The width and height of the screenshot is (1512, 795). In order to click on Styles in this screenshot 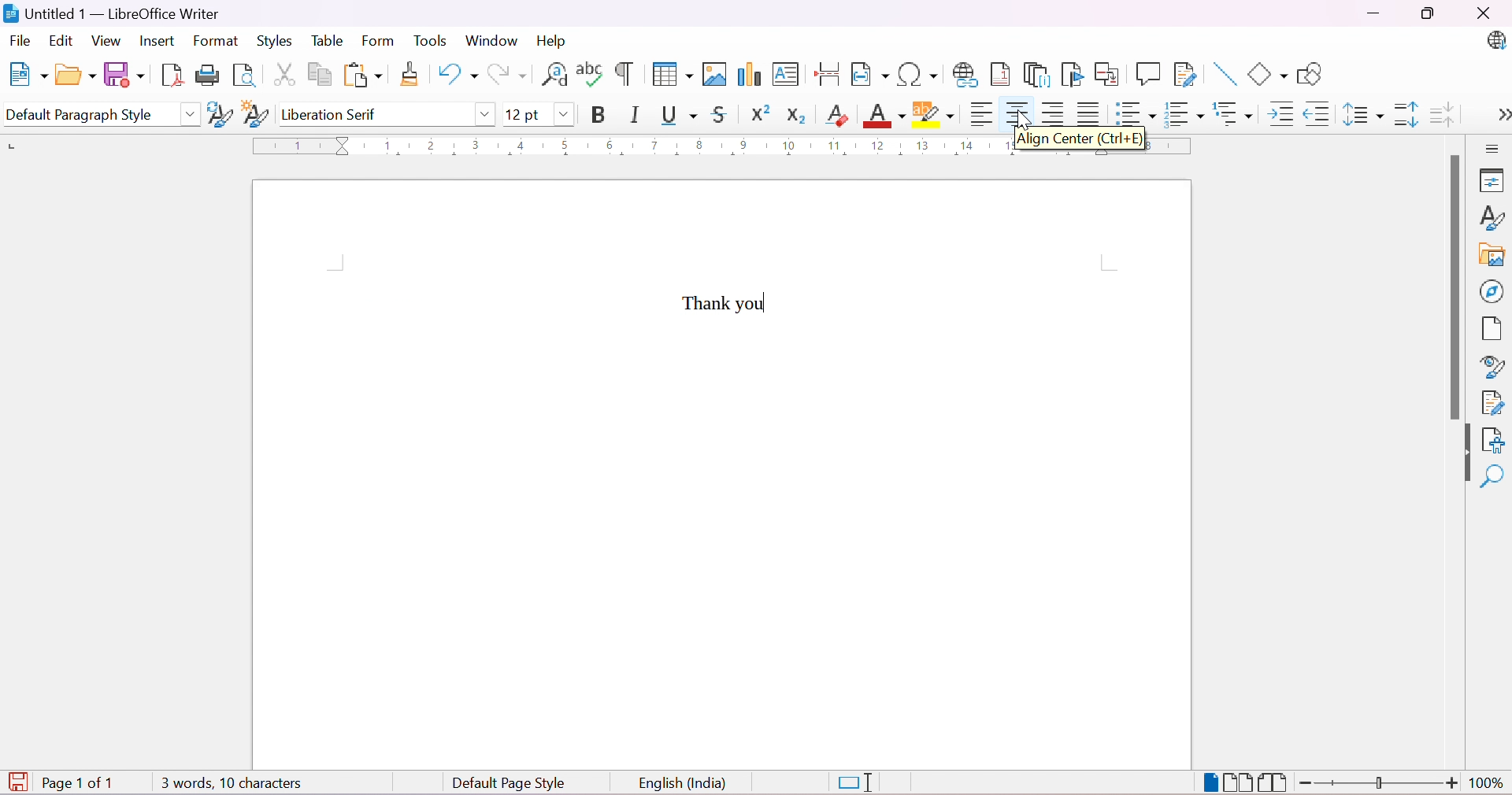, I will do `click(272, 40)`.